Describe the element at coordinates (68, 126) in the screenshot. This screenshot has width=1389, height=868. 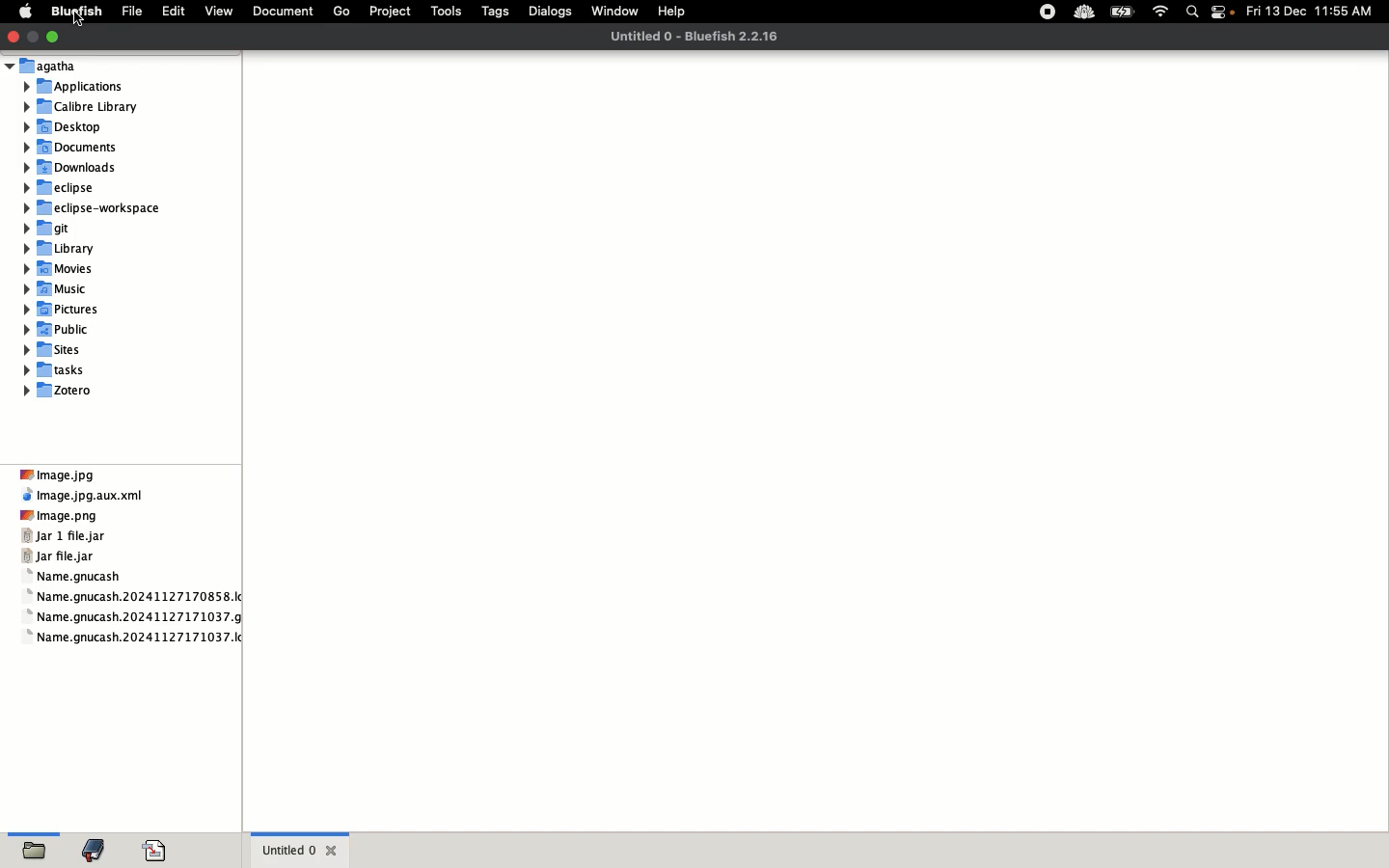
I see `desktop` at that location.